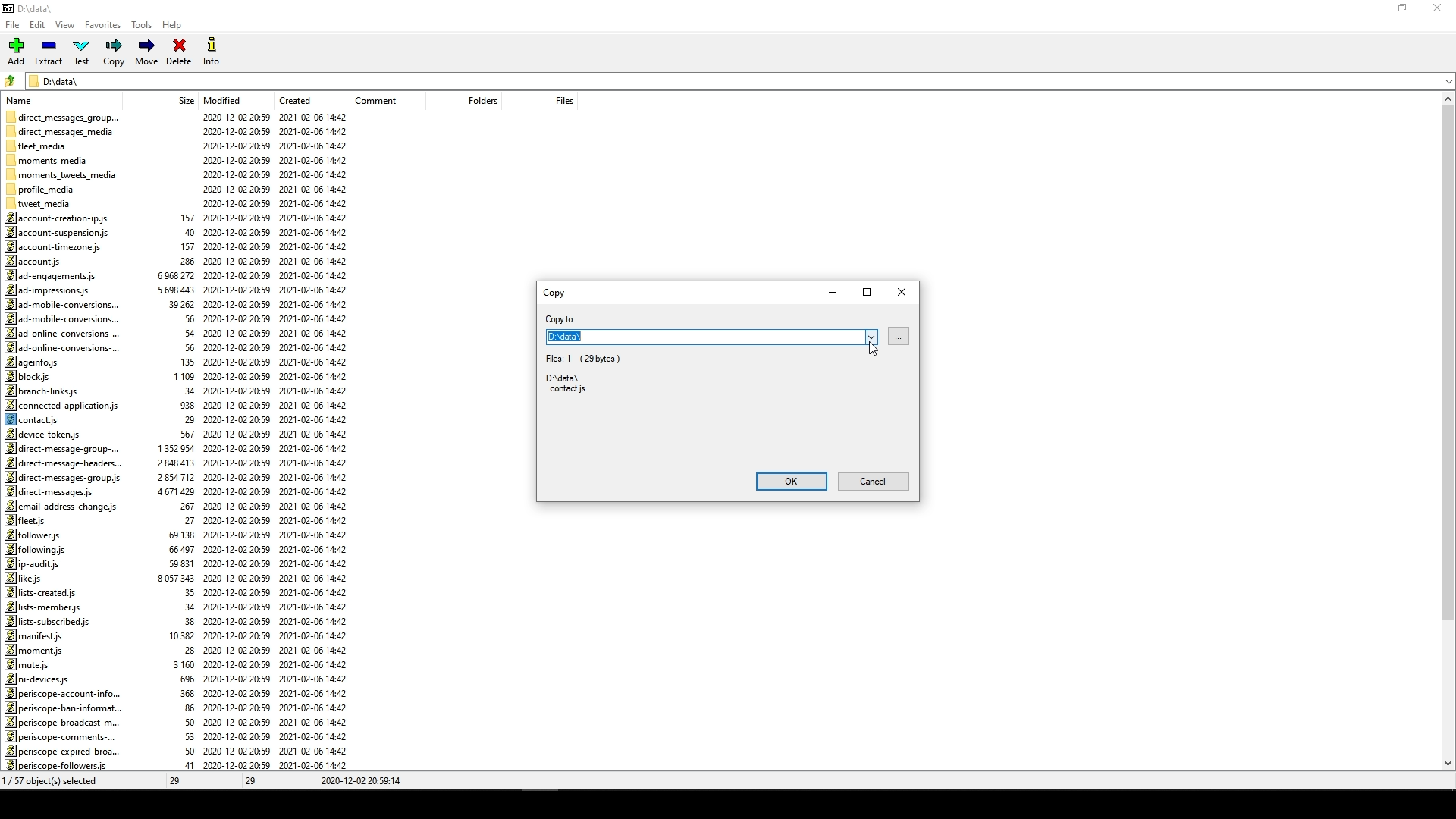 This screenshot has height=819, width=1456. Describe the element at coordinates (554, 99) in the screenshot. I see `files` at that location.